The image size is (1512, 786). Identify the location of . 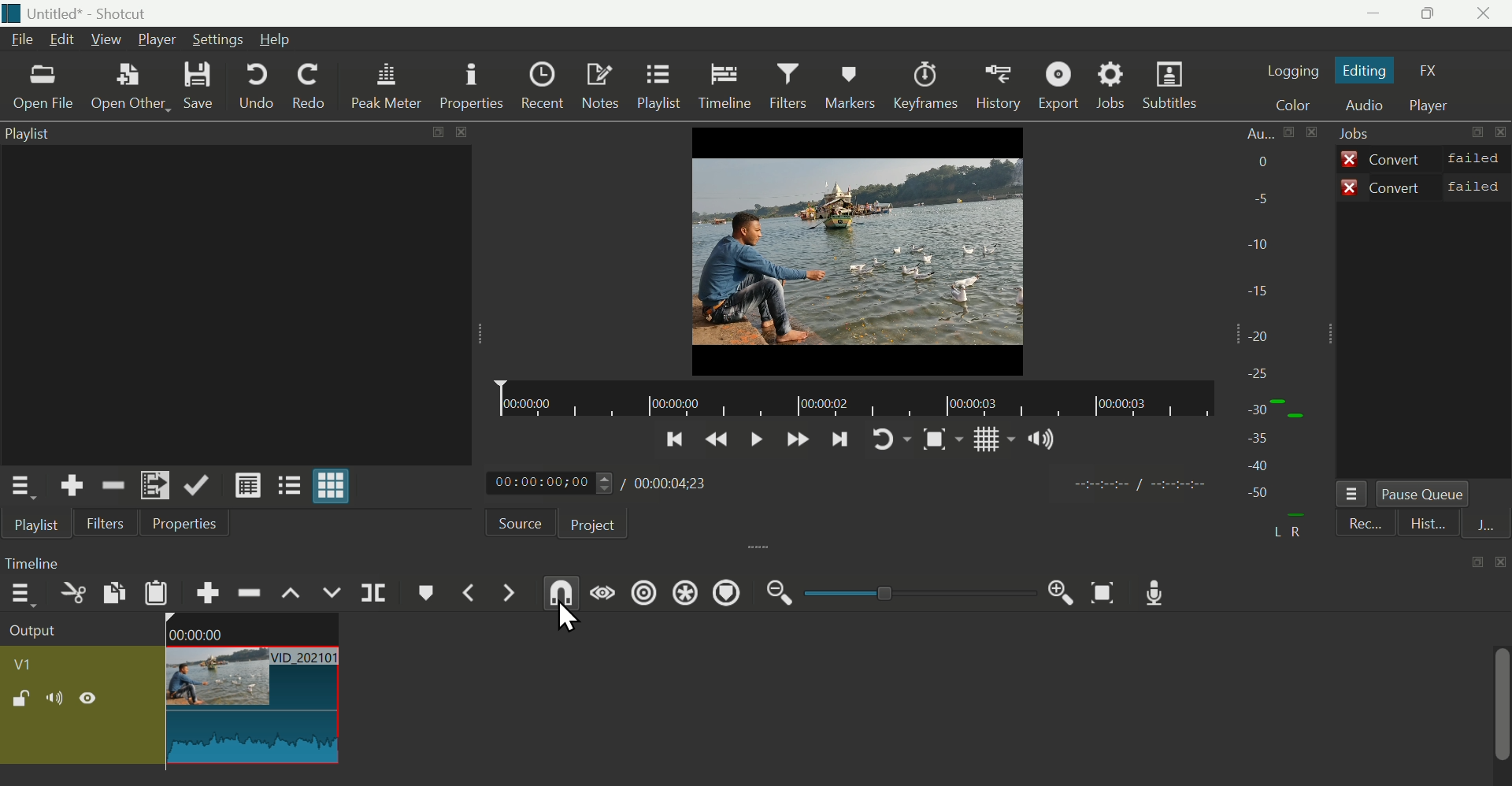
(603, 595).